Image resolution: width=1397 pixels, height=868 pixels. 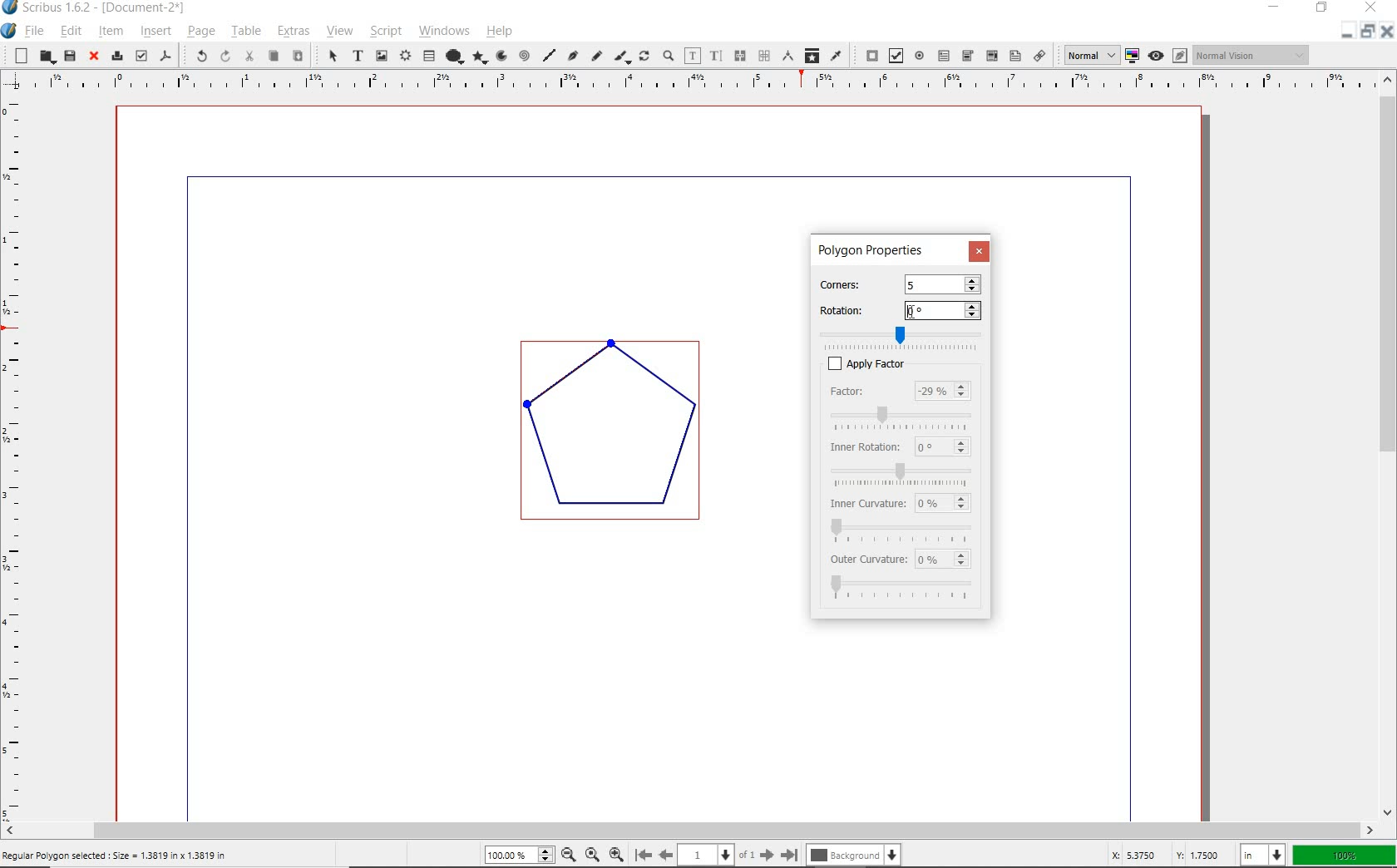 What do you see at coordinates (430, 56) in the screenshot?
I see `table` at bounding box center [430, 56].